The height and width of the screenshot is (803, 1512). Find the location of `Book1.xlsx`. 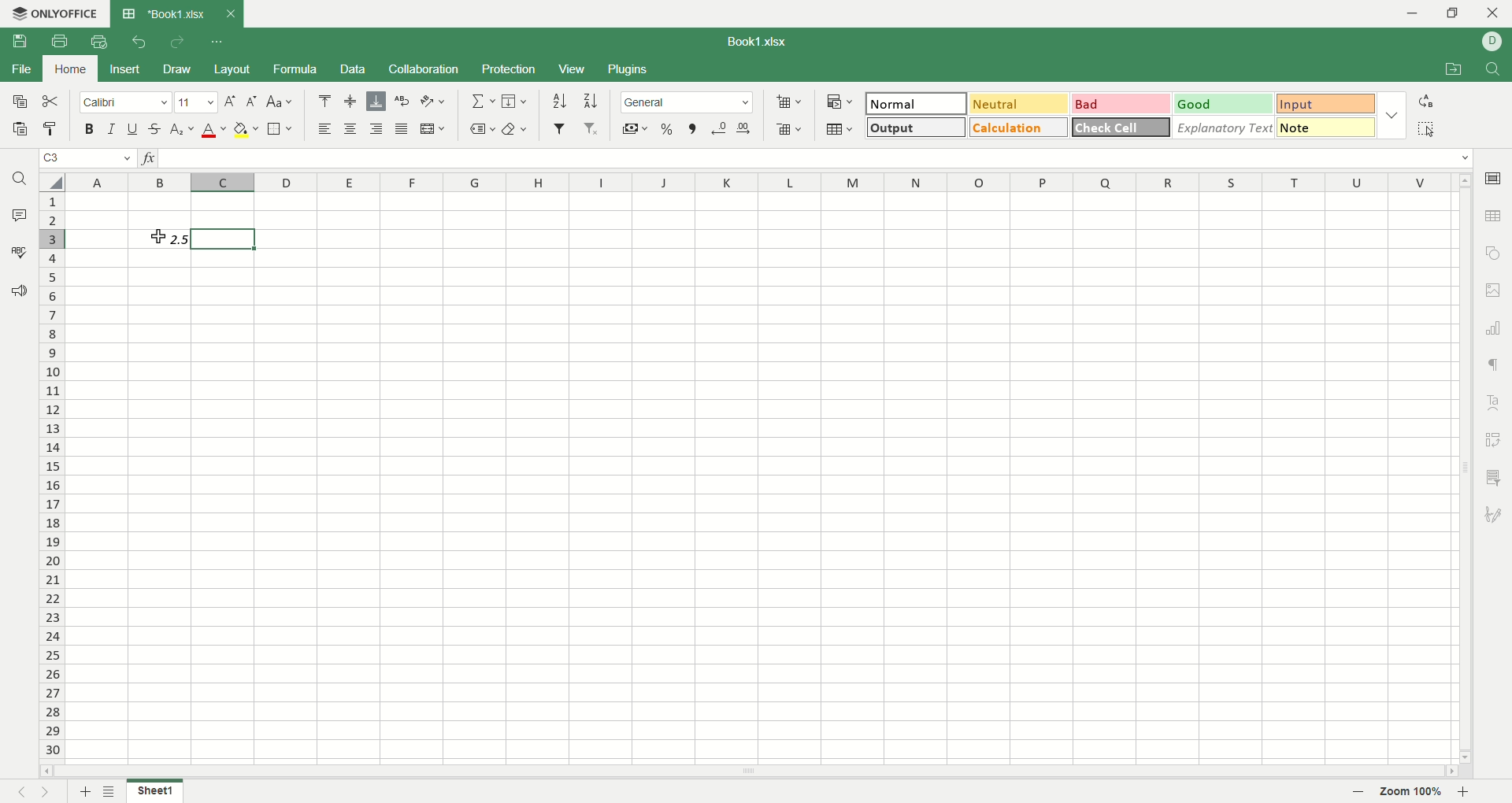

Book1.xlsx is located at coordinates (164, 13).